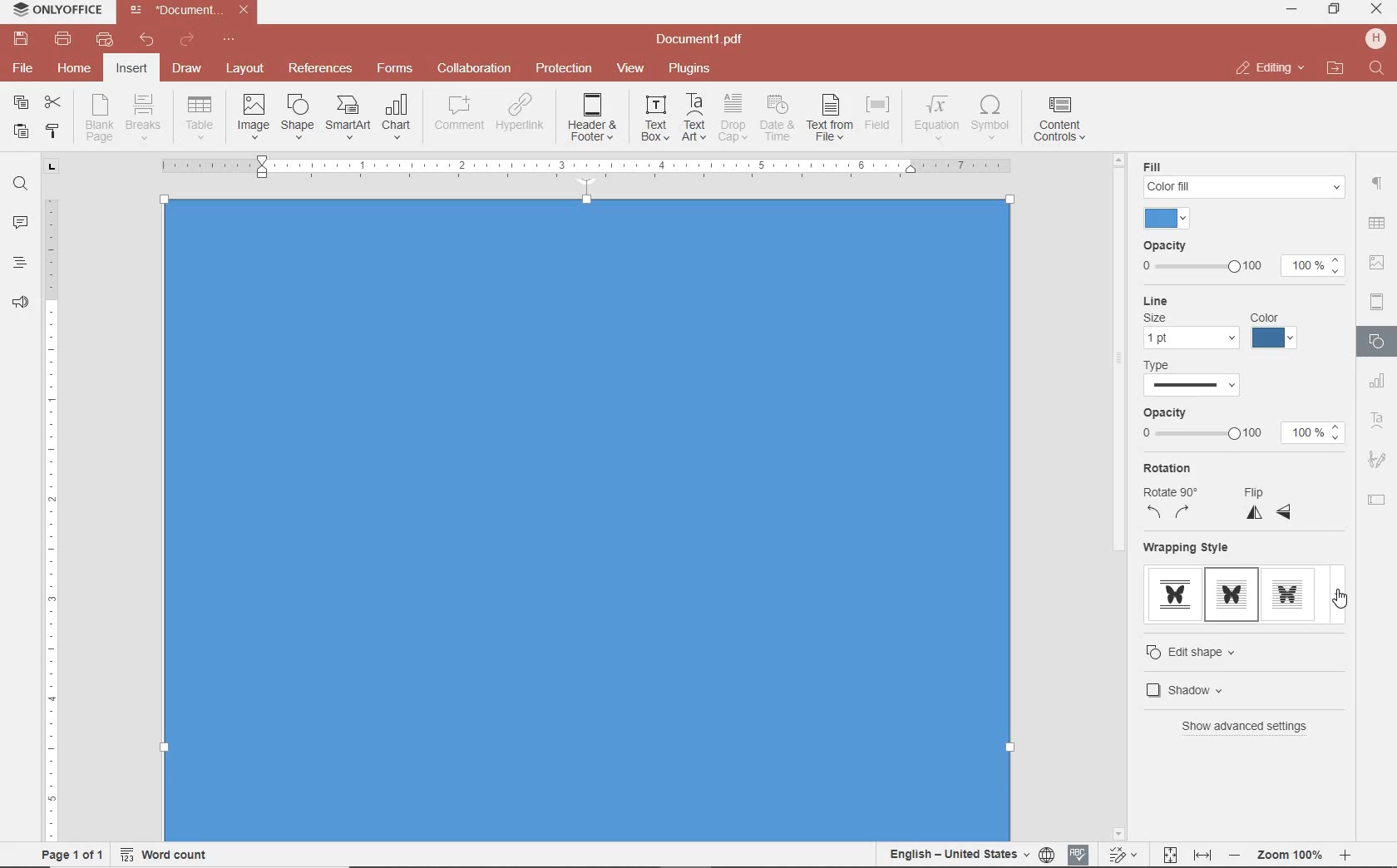 This screenshot has width=1397, height=868. Describe the element at coordinates (1241, 429) in the screenshot. I see `OPACITY` at that location.